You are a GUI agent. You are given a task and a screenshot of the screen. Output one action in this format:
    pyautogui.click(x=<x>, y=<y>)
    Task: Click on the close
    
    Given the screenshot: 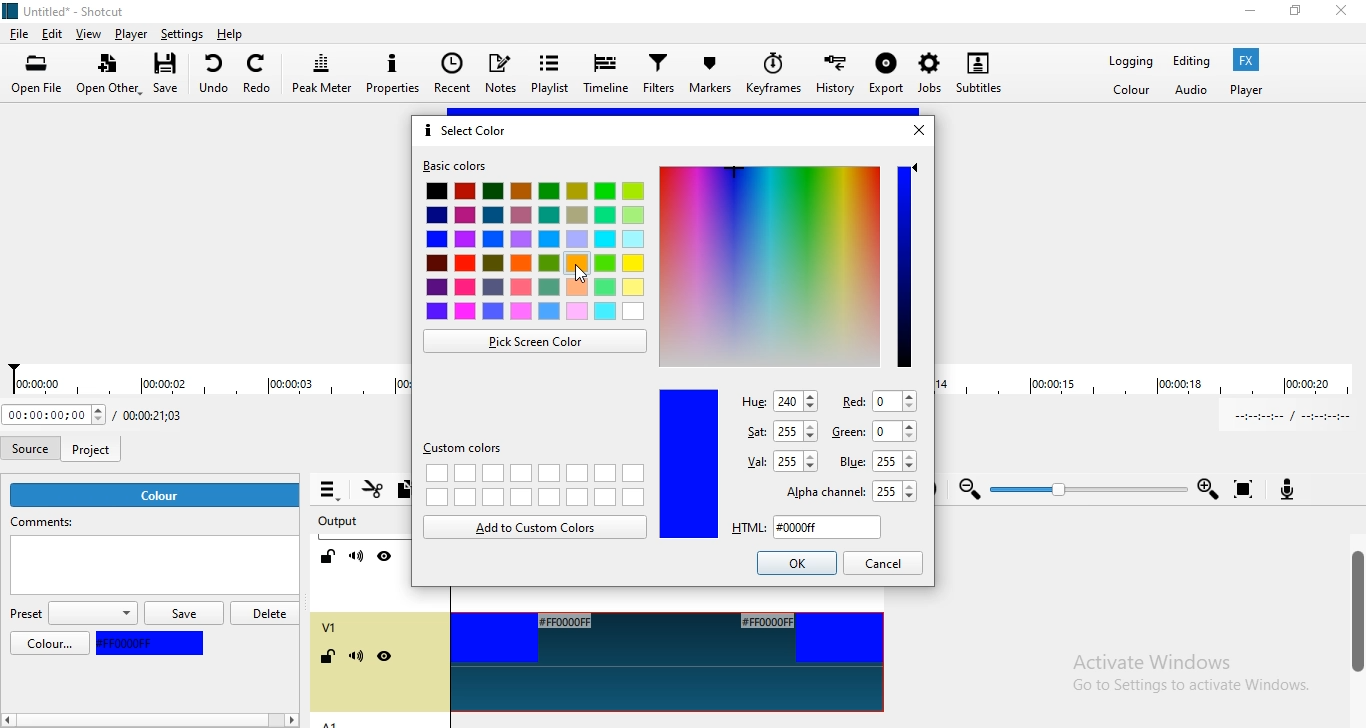 What is the action you would take?
    pyautogui.click(x=925, y=130)
    